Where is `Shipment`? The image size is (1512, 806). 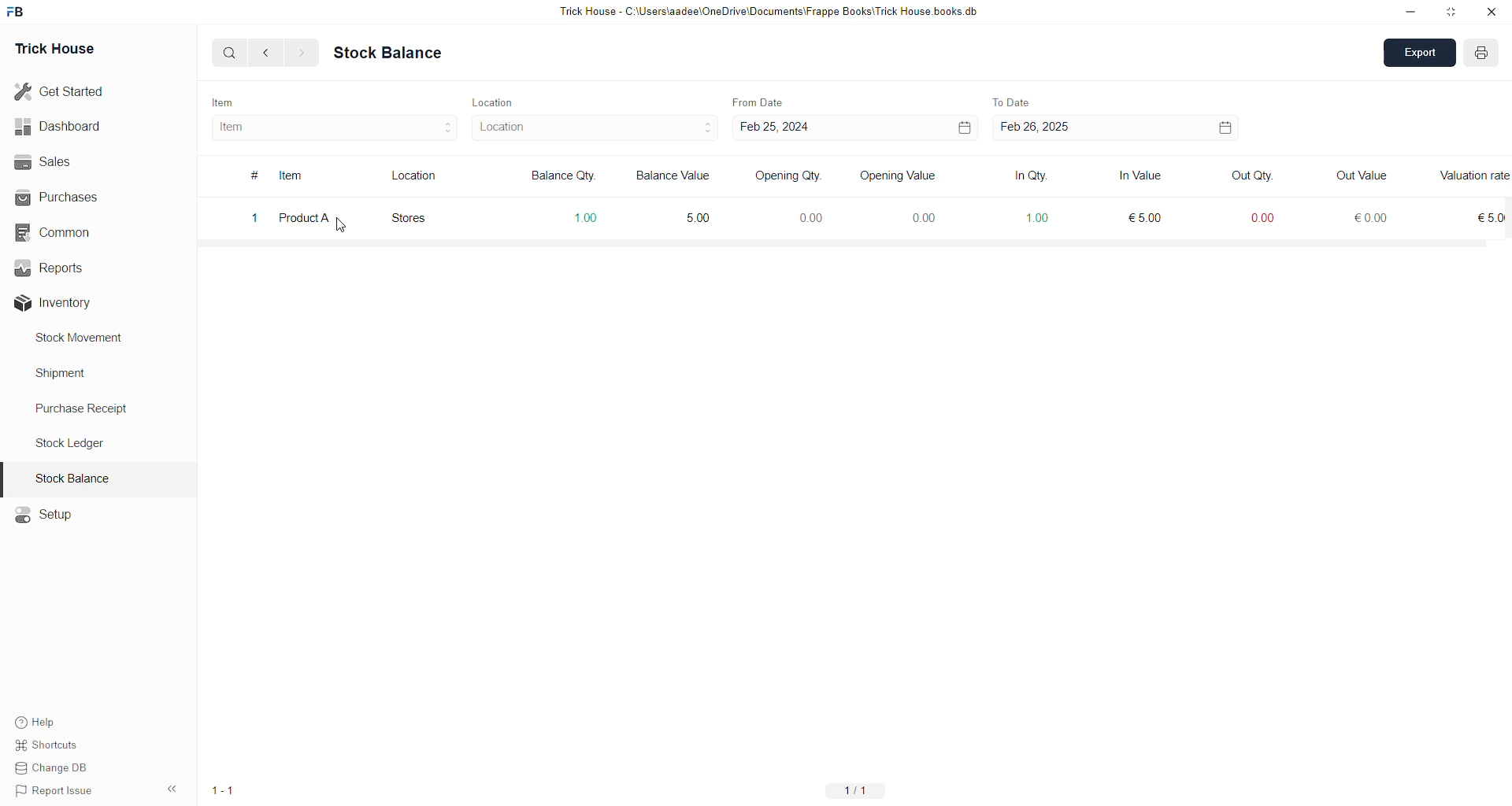
Shipment is located at coordinates (59, 374).